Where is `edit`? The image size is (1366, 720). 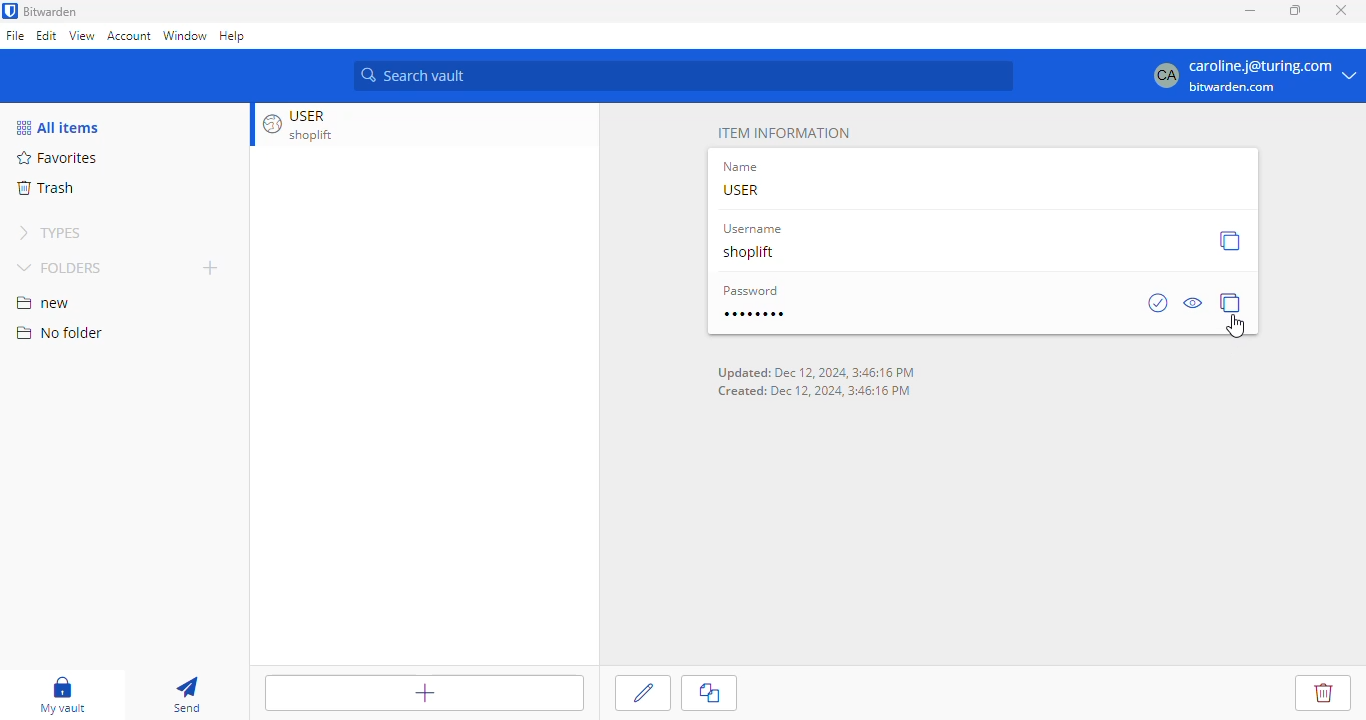 edit is located at coordinates (645, 690).